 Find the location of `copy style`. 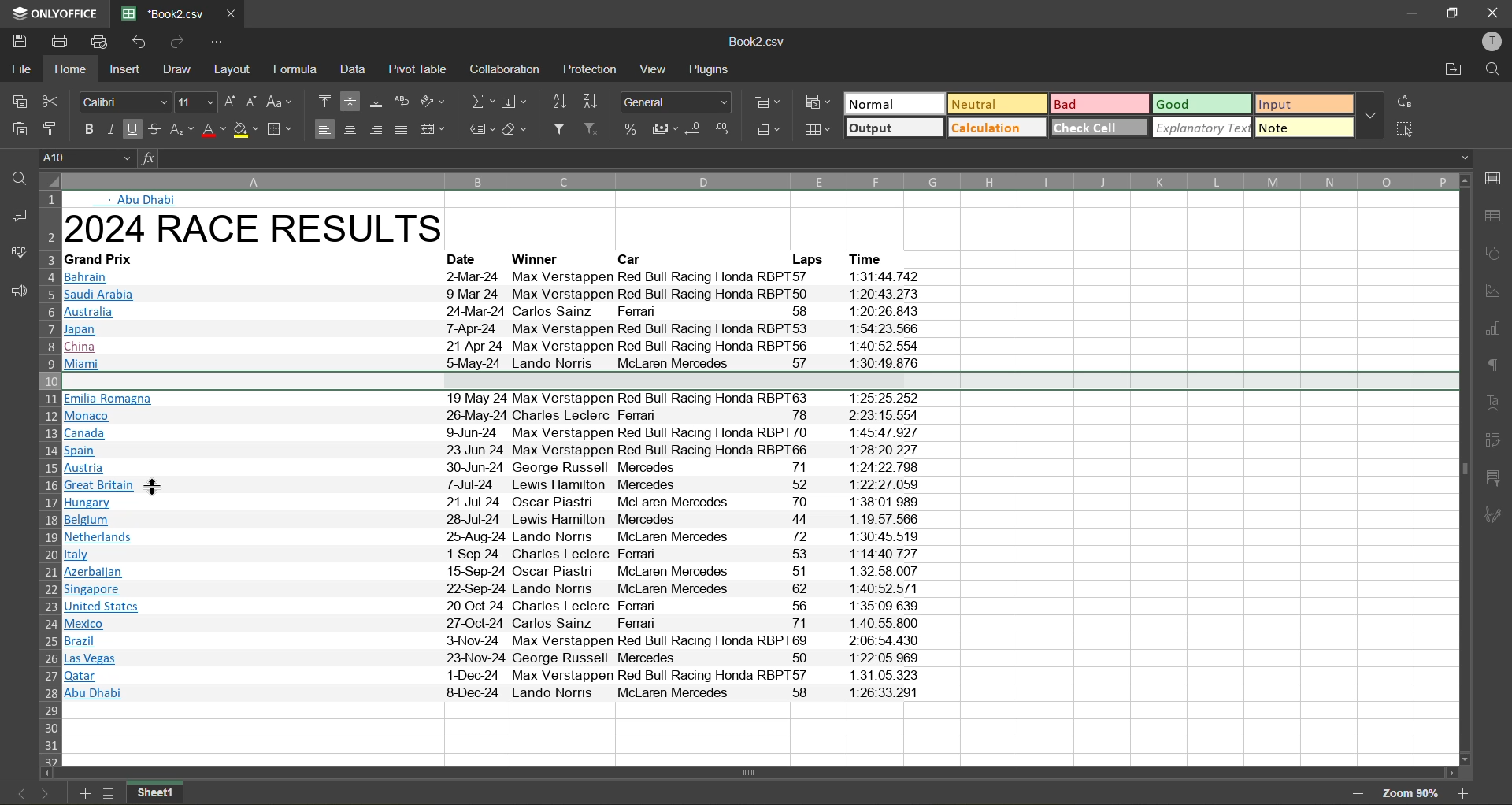

copy style is located at coordinates (51, 125).